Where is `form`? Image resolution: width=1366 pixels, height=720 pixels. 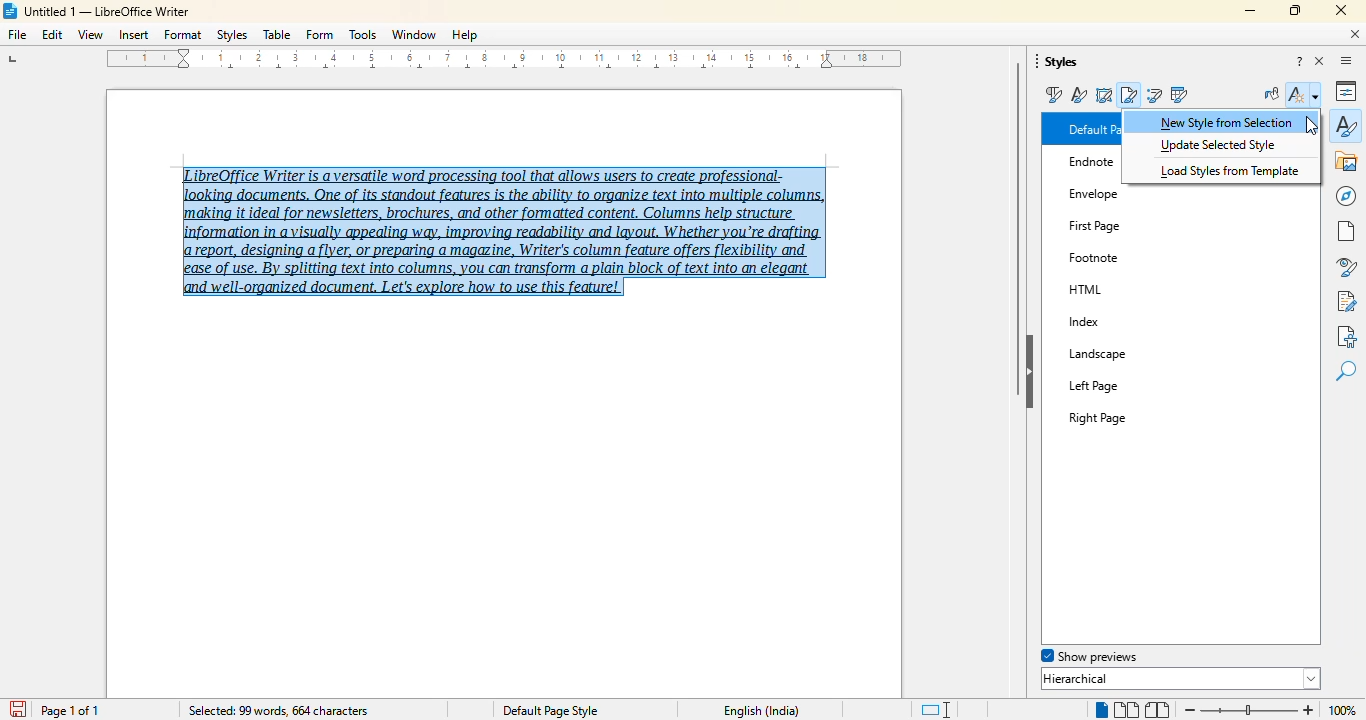 form is located at coordinates (320, 34).